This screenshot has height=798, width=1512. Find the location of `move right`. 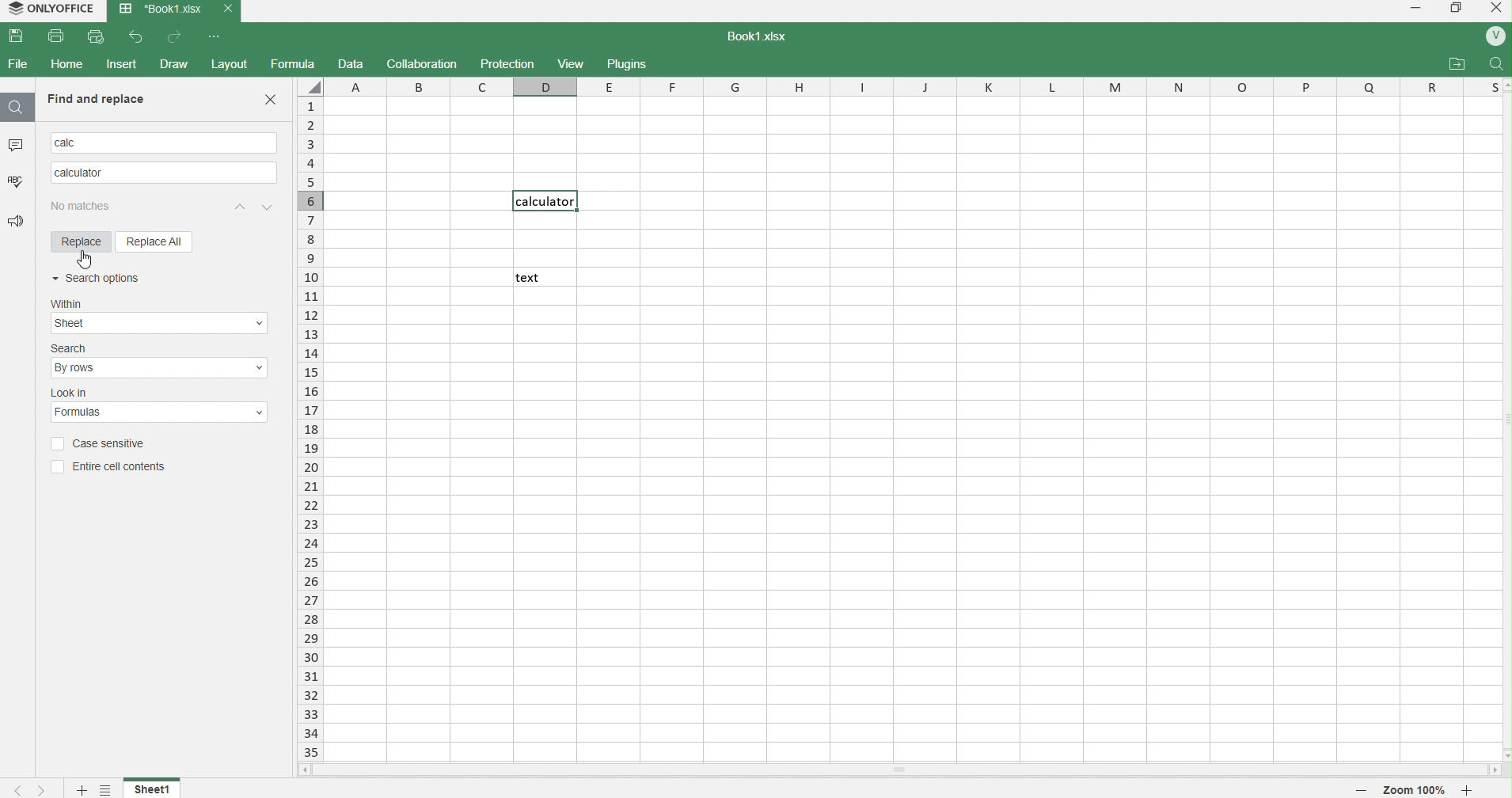

move right is located at coordinates (1497, 769).